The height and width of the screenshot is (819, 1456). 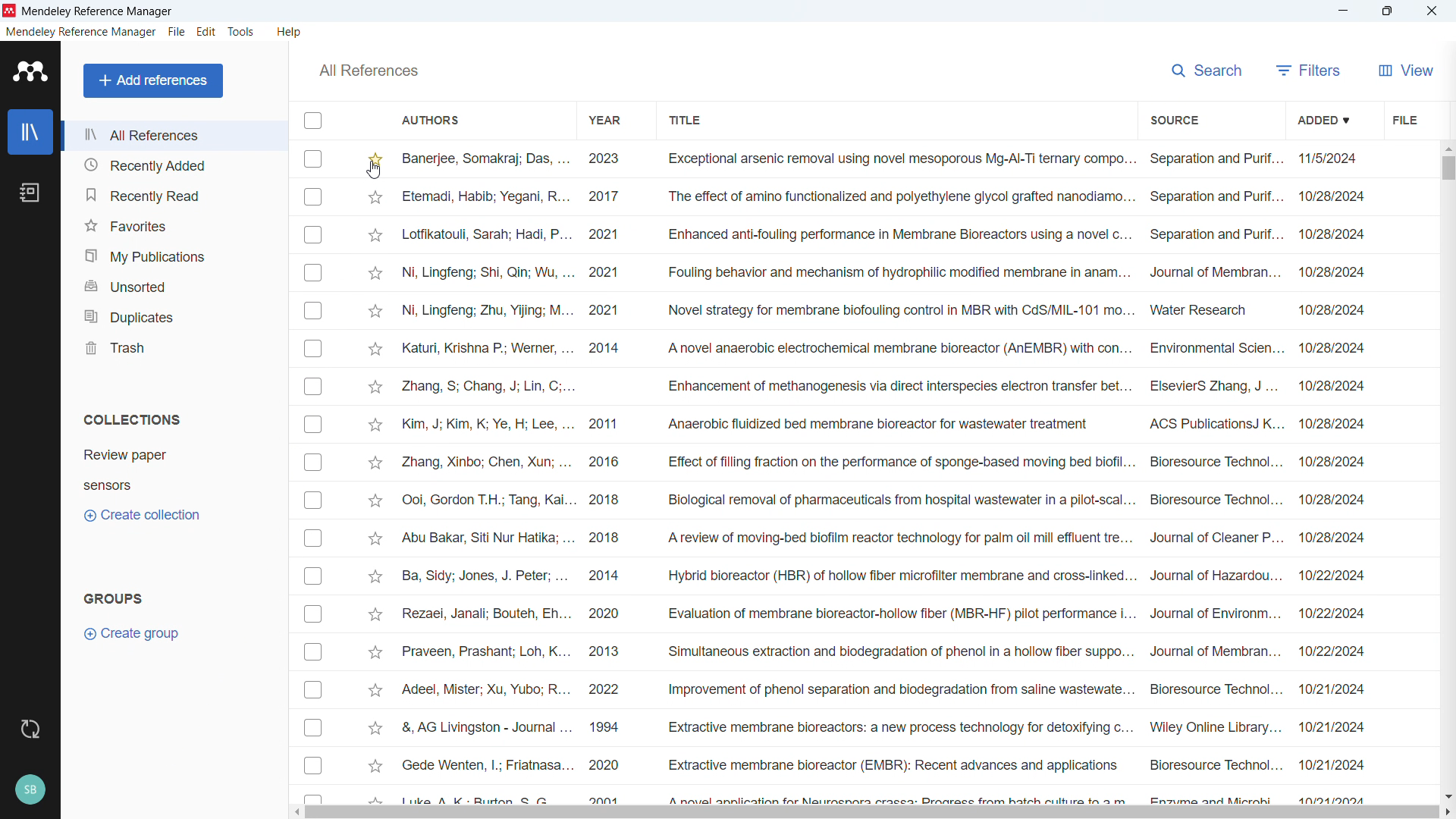 I want to click on Groups , so click(x=114, y=598).